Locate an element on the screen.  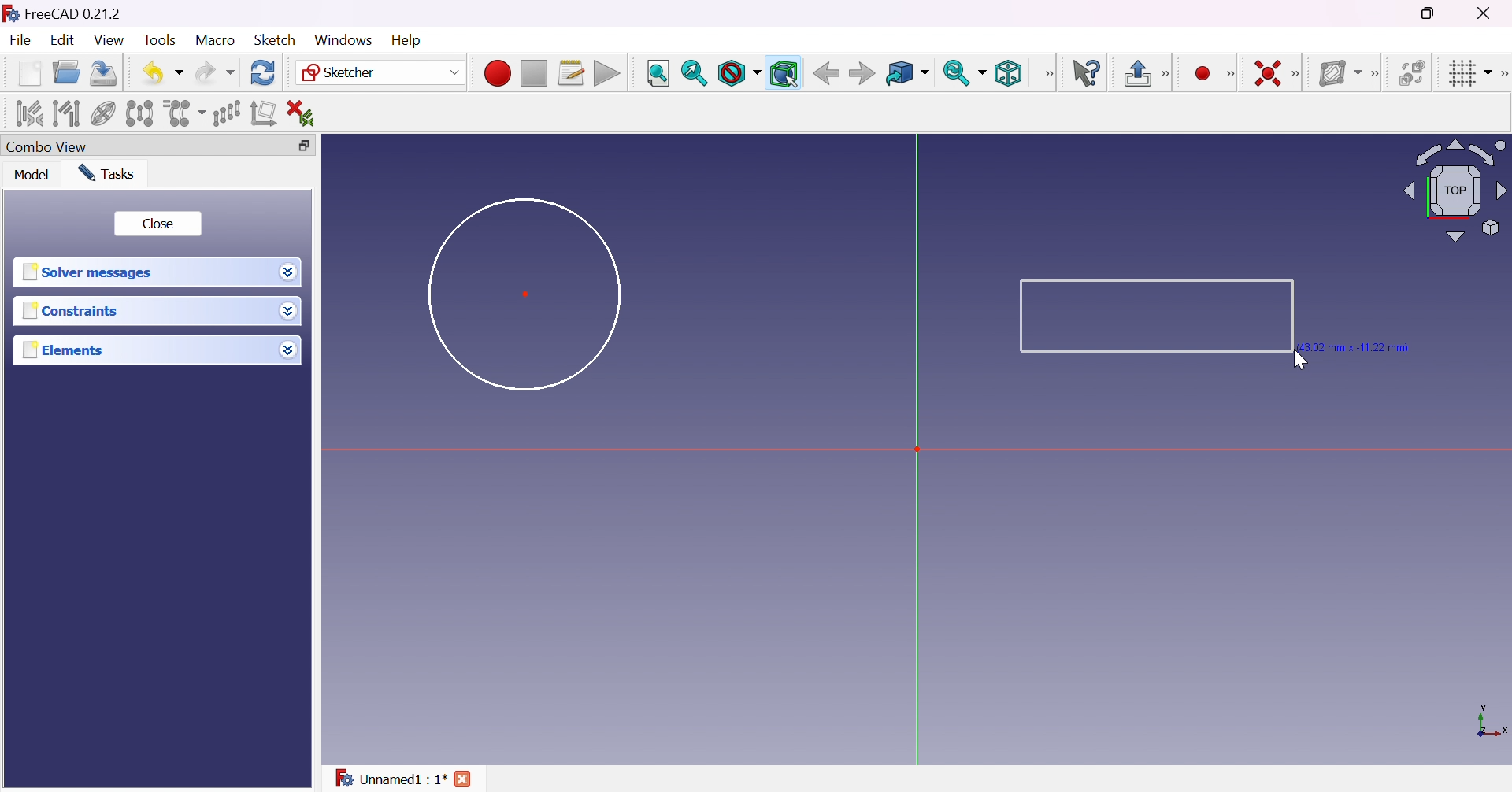
Viewing angle is located at coordinates (1452, 192).